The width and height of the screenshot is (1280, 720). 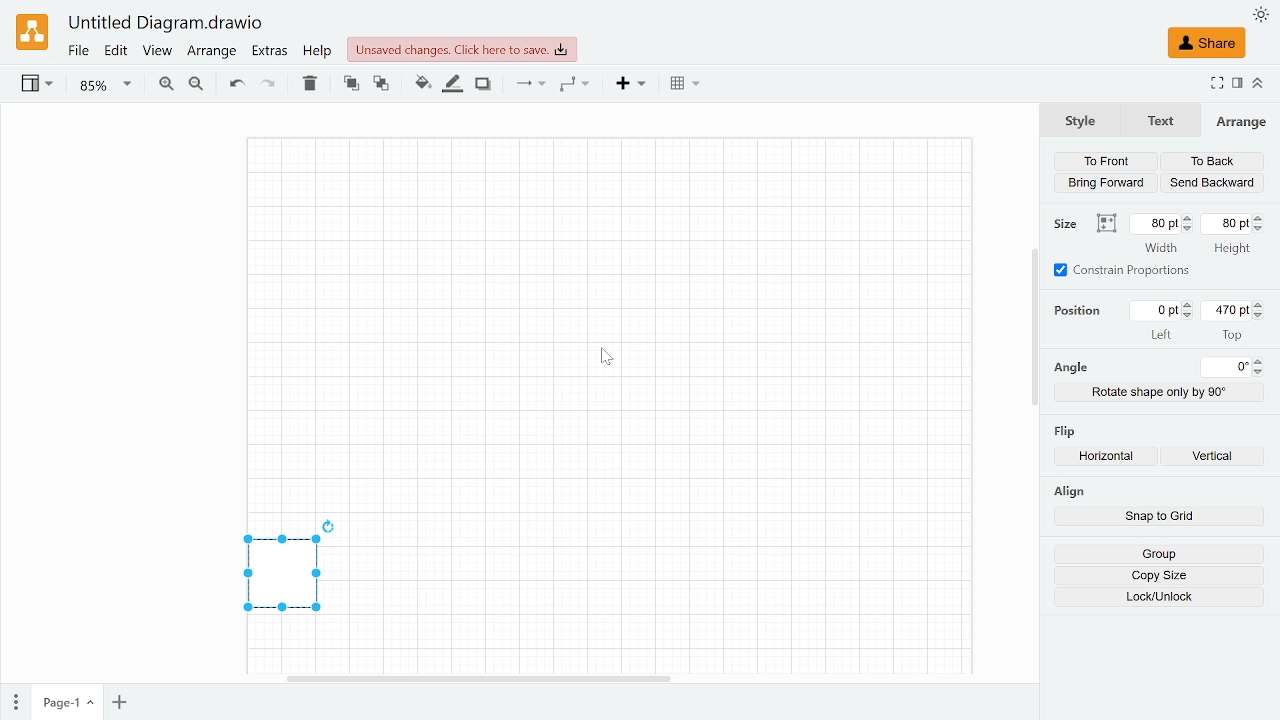 What do you see at coordinates (1225, 310) in the screenshot?
I see `Current top` at bounding box center [1225, 310].